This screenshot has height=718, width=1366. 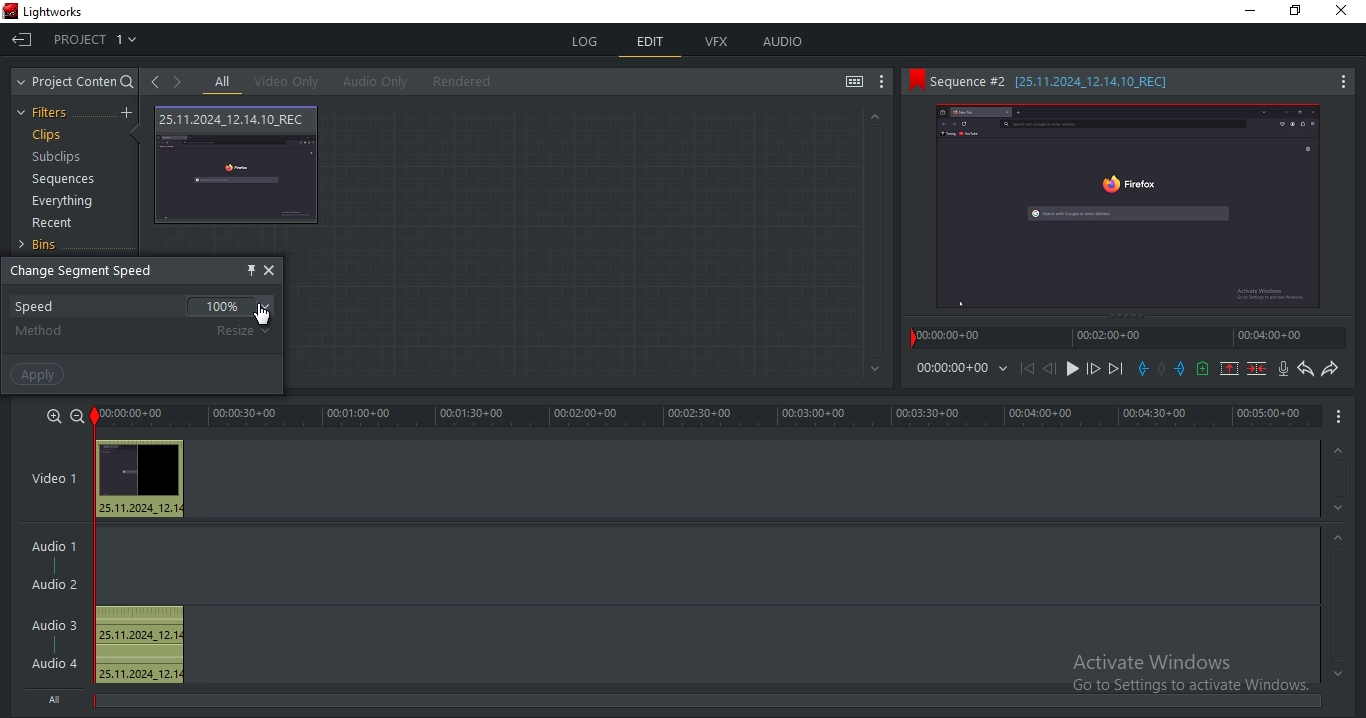 What do you see at coordinates (57, 608) in the screenshot?
I see `audio` at bounding box center [57, 608].